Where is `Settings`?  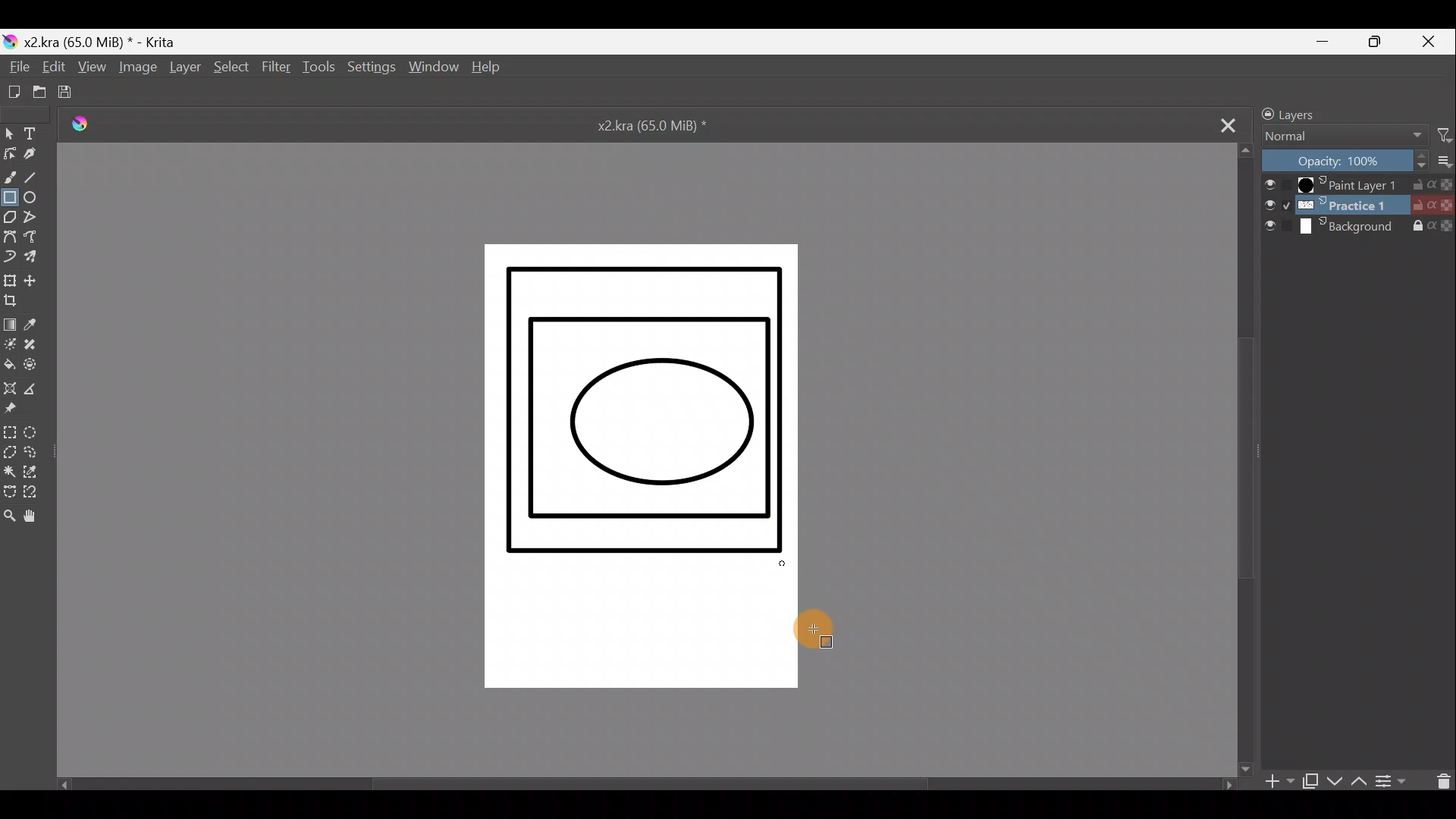 Settings is located at coordinates (371, 69).